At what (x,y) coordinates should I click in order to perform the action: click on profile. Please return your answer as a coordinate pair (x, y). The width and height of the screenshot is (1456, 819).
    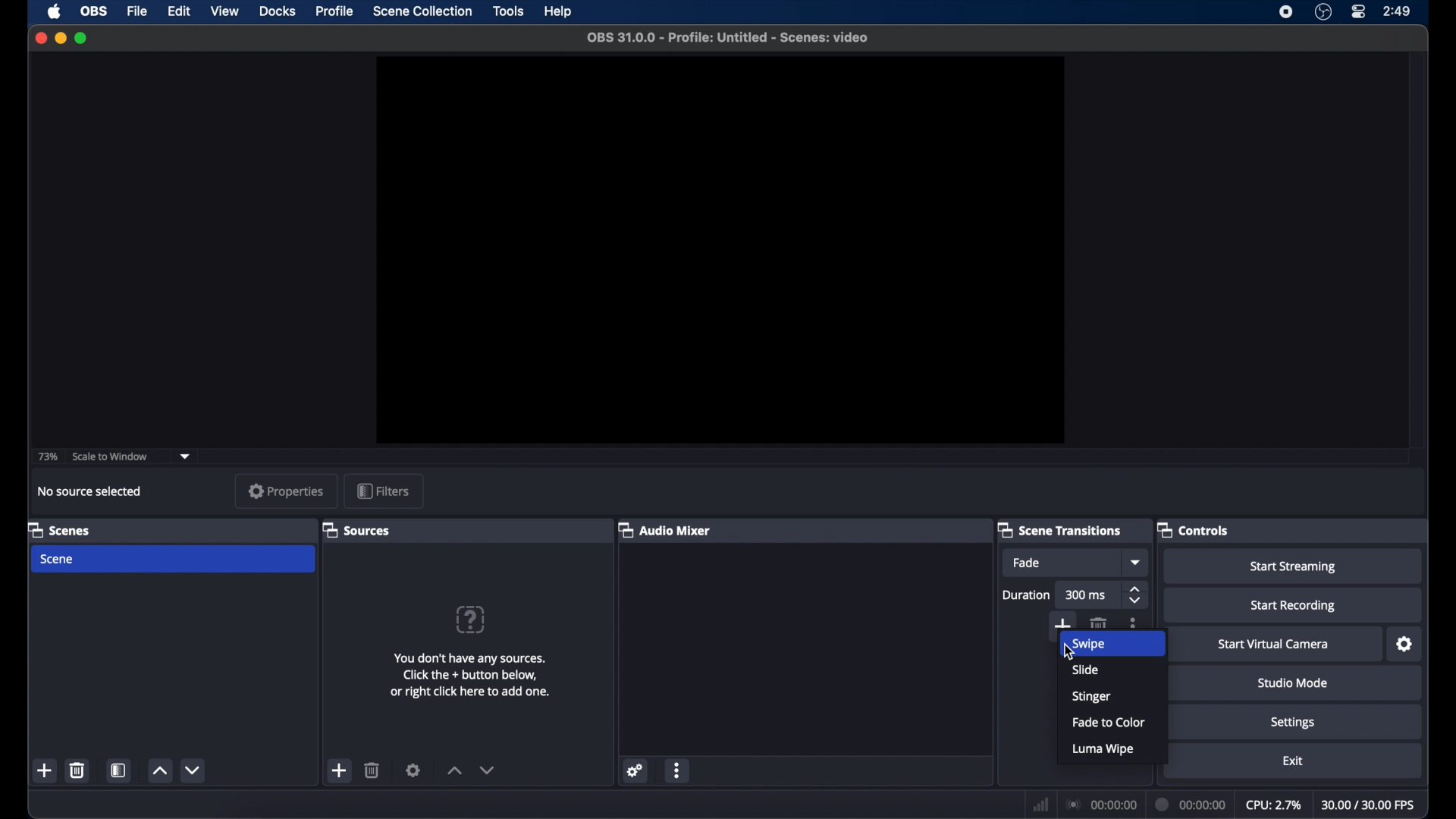
    Looking at the image, I should click on (335, 11).